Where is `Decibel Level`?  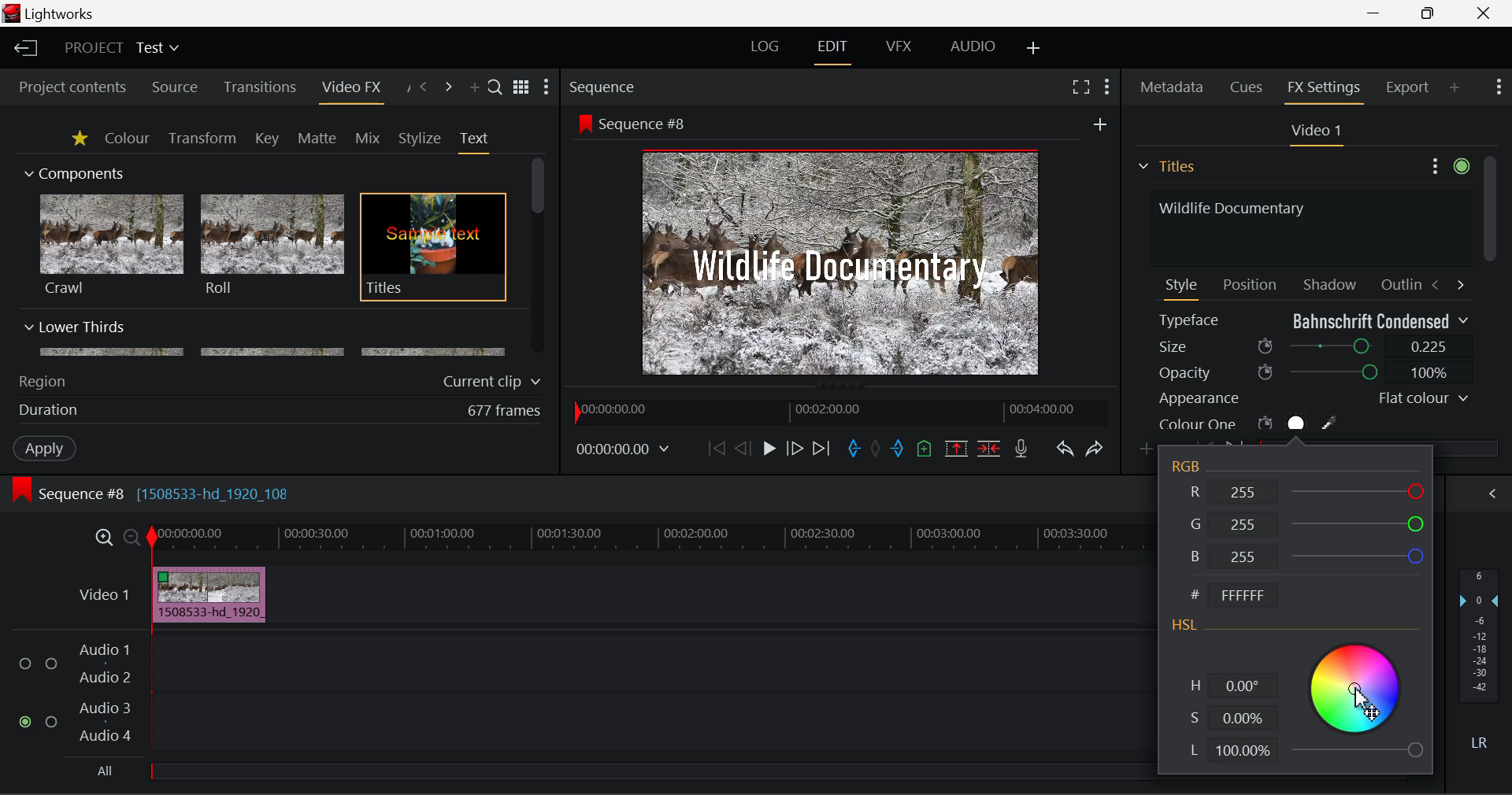
Decibel Level is located at coordinates (1480, 663).